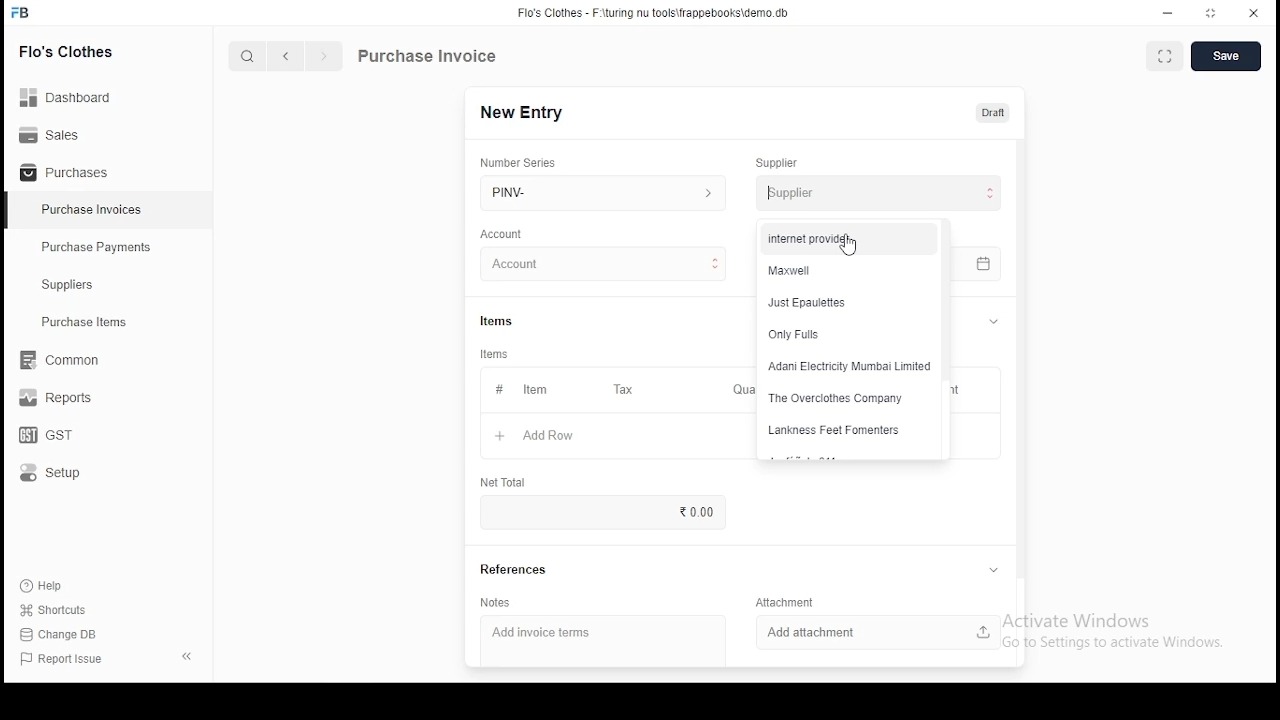 This screenshot has height=720, width=1280. What do you see at coordinates (848, 245) in the screenshot?
I see `mouse pointer` at bounding box center [848, 245].